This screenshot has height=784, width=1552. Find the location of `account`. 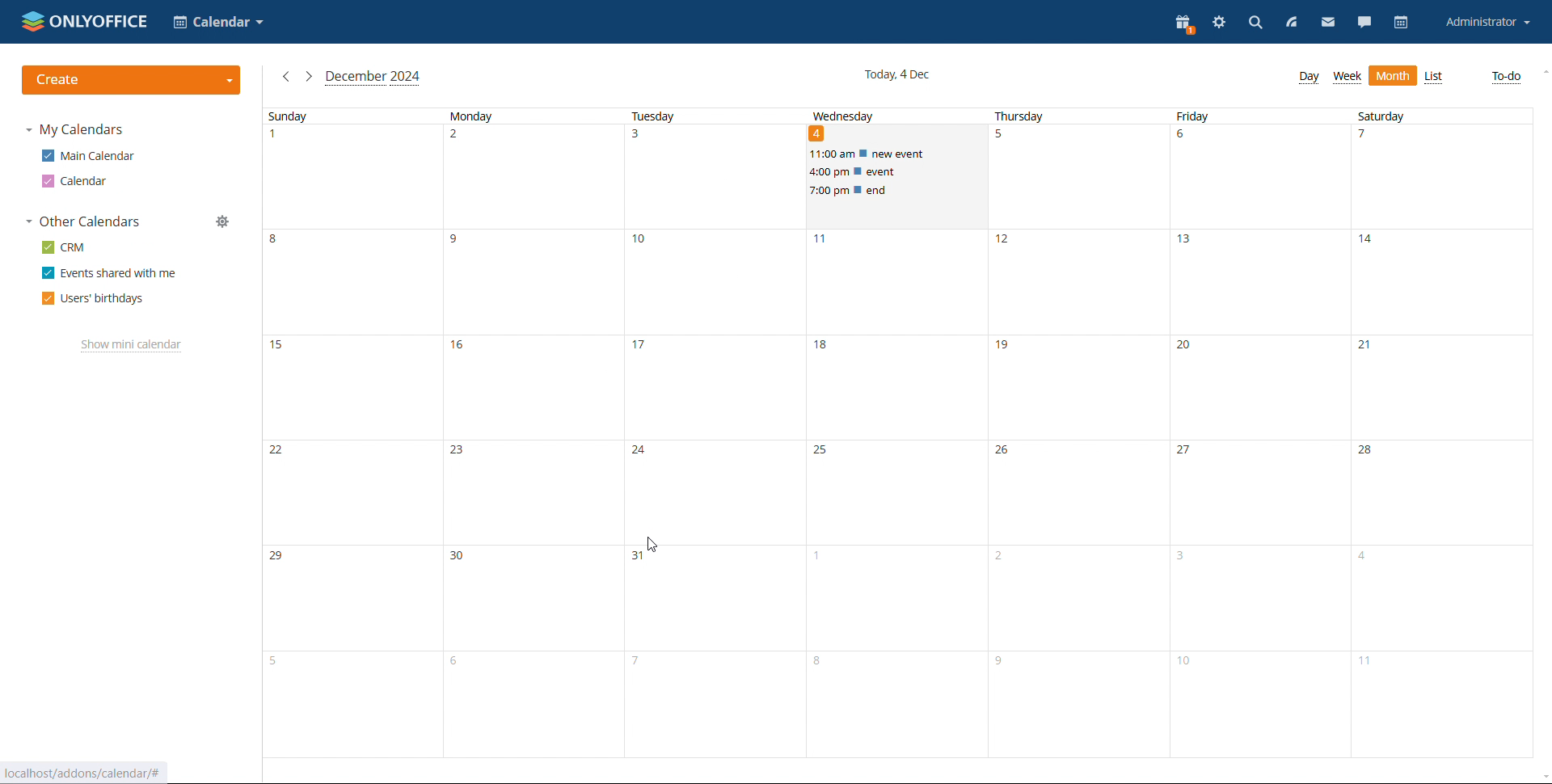

account is located at coordinates (1487, 23).